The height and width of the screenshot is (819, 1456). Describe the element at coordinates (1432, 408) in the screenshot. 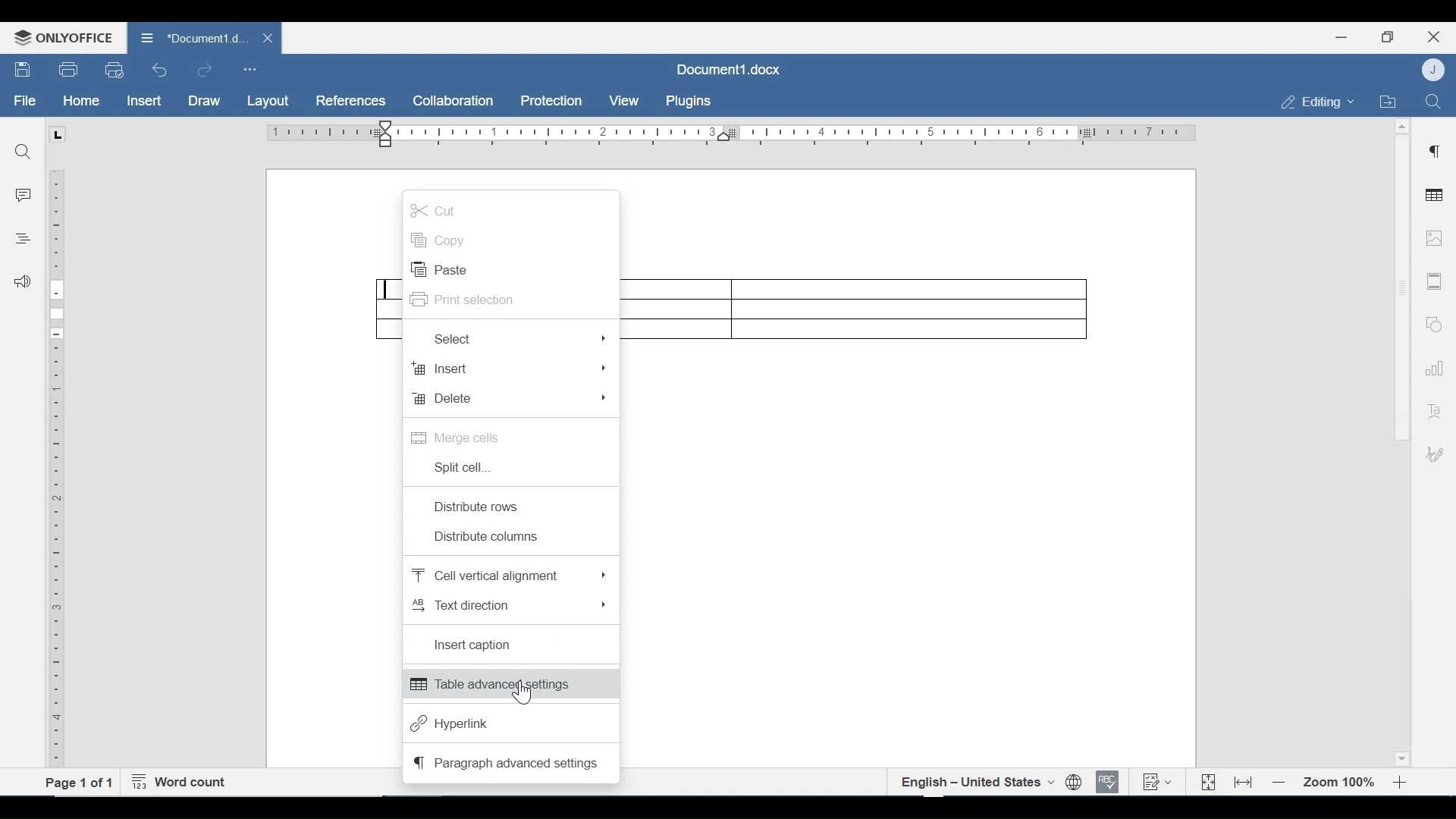

I see `Text Art` at that location.